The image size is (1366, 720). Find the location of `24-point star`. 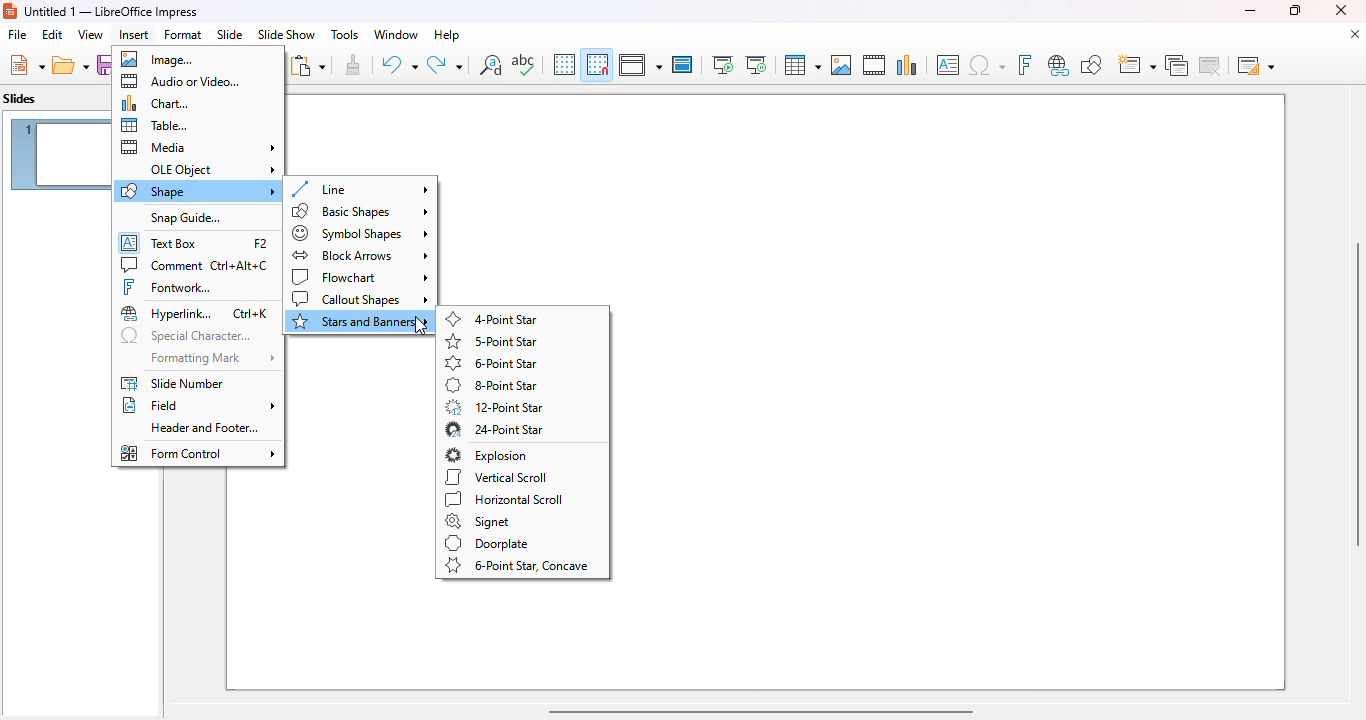

24-point star is located at coordinates (493, 430).